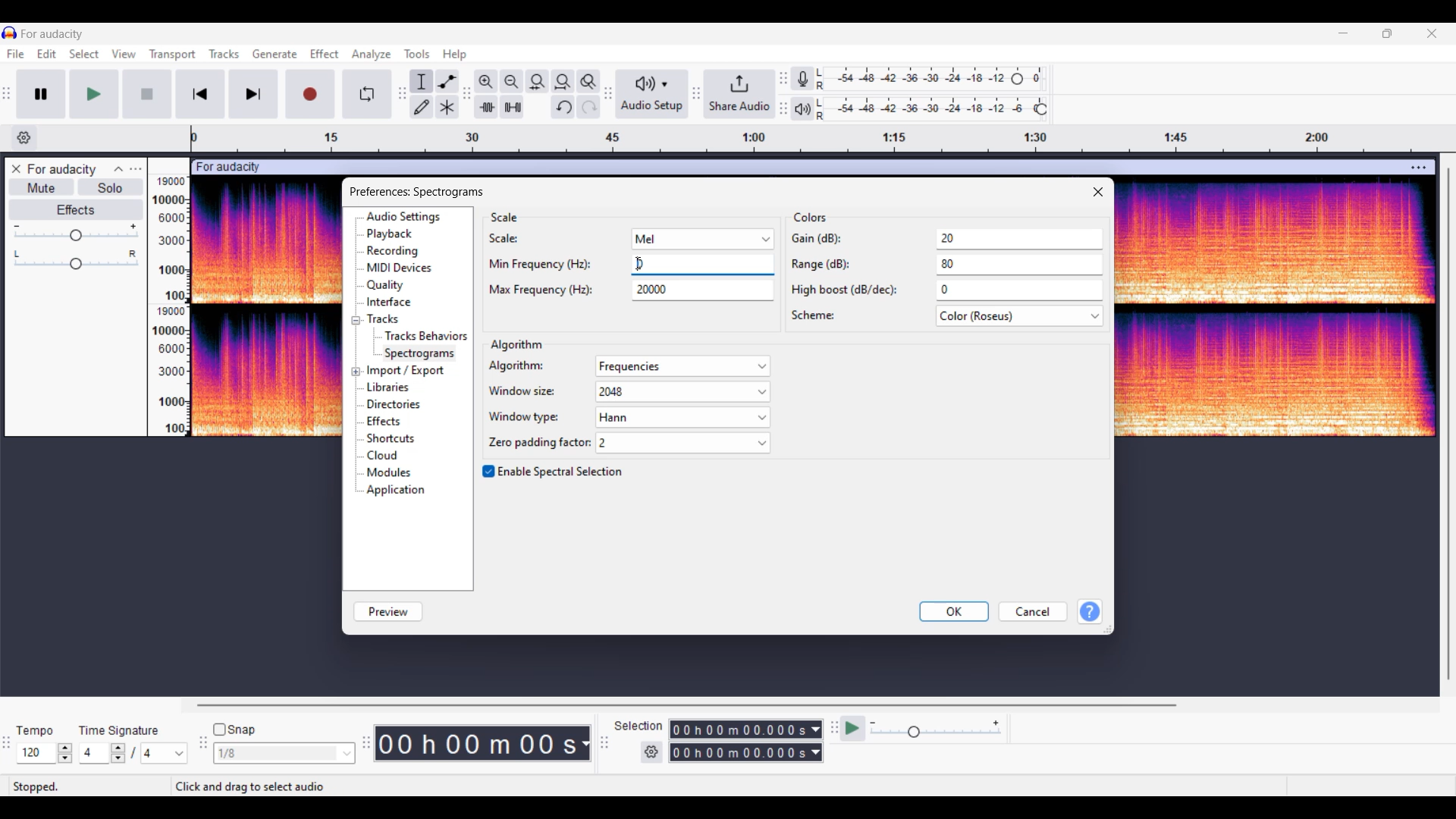 This screenshot has width=1456, height=819. What do you see at coordinates (400, 268) in the screenshot?
I see `midi devices` at bounding box center [400, 268].